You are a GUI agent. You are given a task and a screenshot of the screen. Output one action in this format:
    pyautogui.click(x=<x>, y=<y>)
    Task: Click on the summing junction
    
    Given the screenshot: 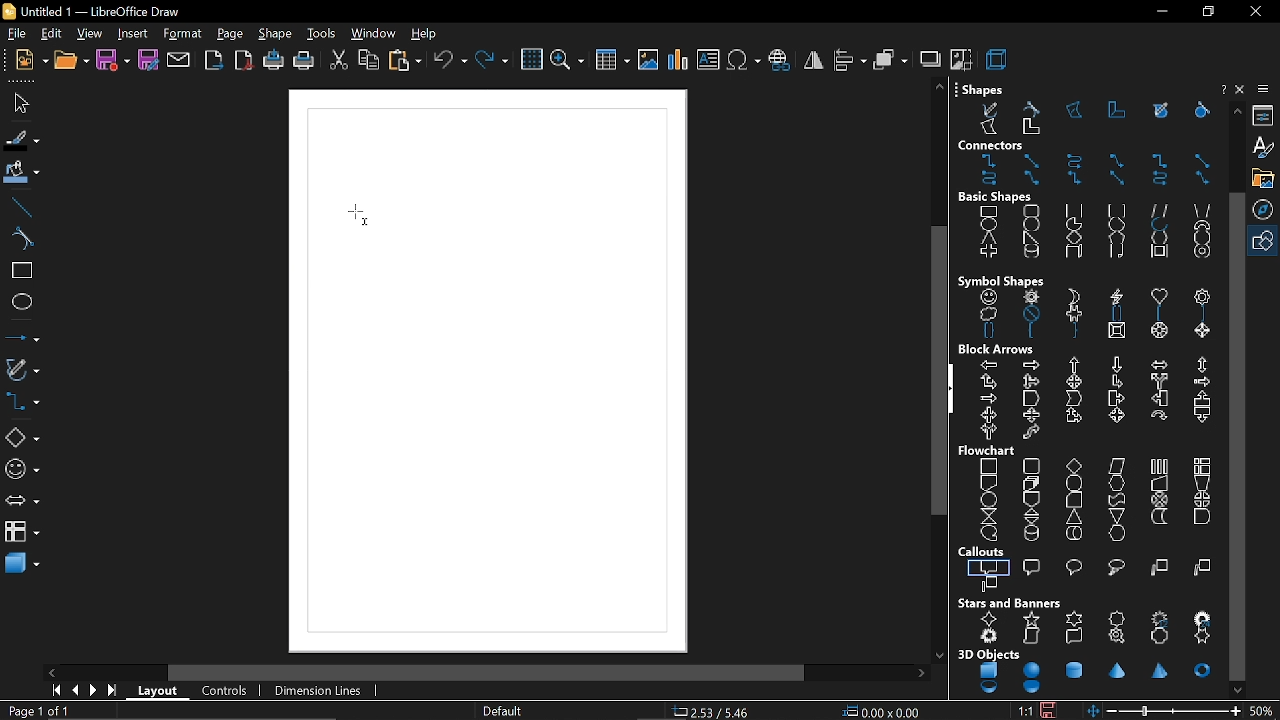 What is the action you would take?
    pyautogui.click(x=1160, y=500)
    